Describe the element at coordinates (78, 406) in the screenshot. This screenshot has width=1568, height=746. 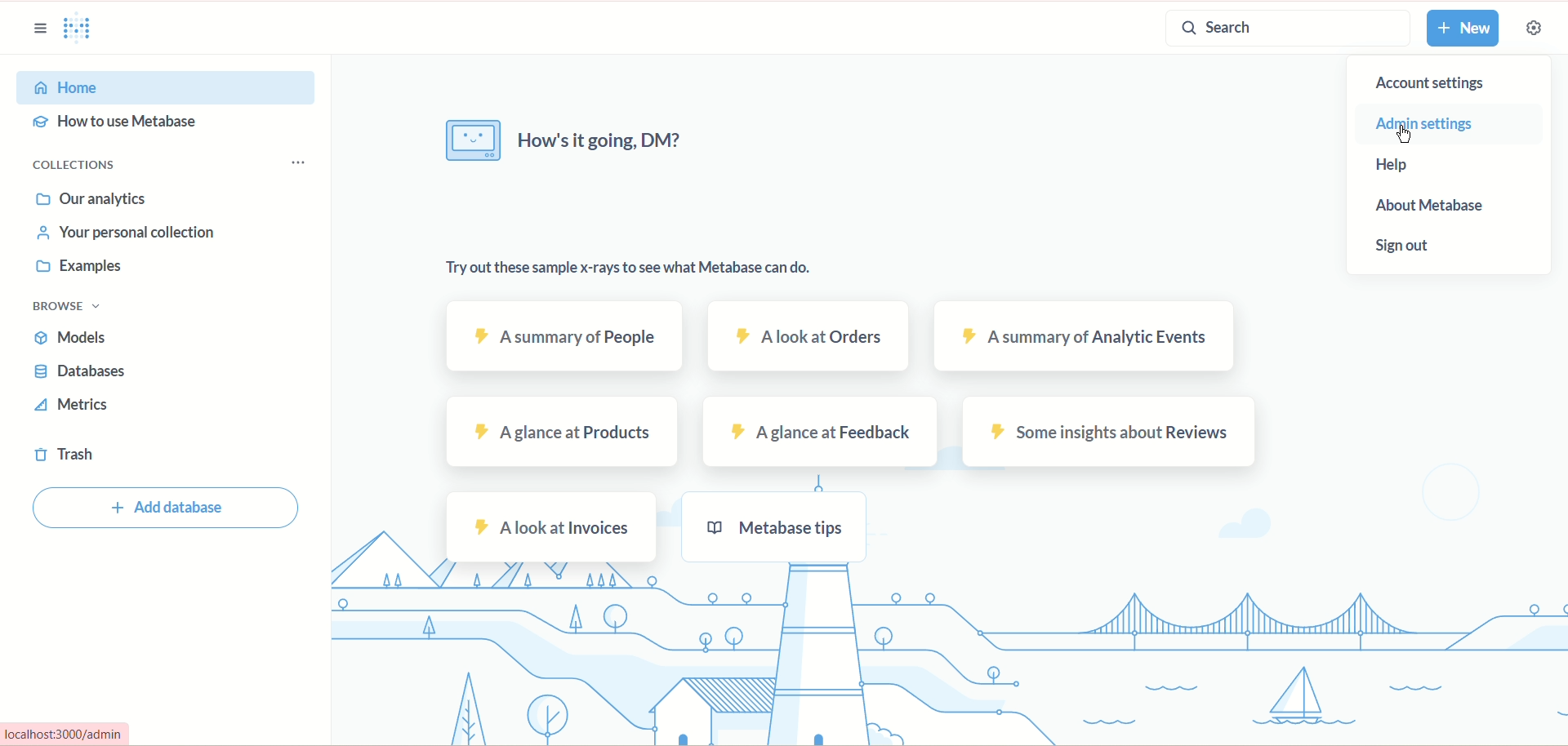
I see `metrics` at that location.